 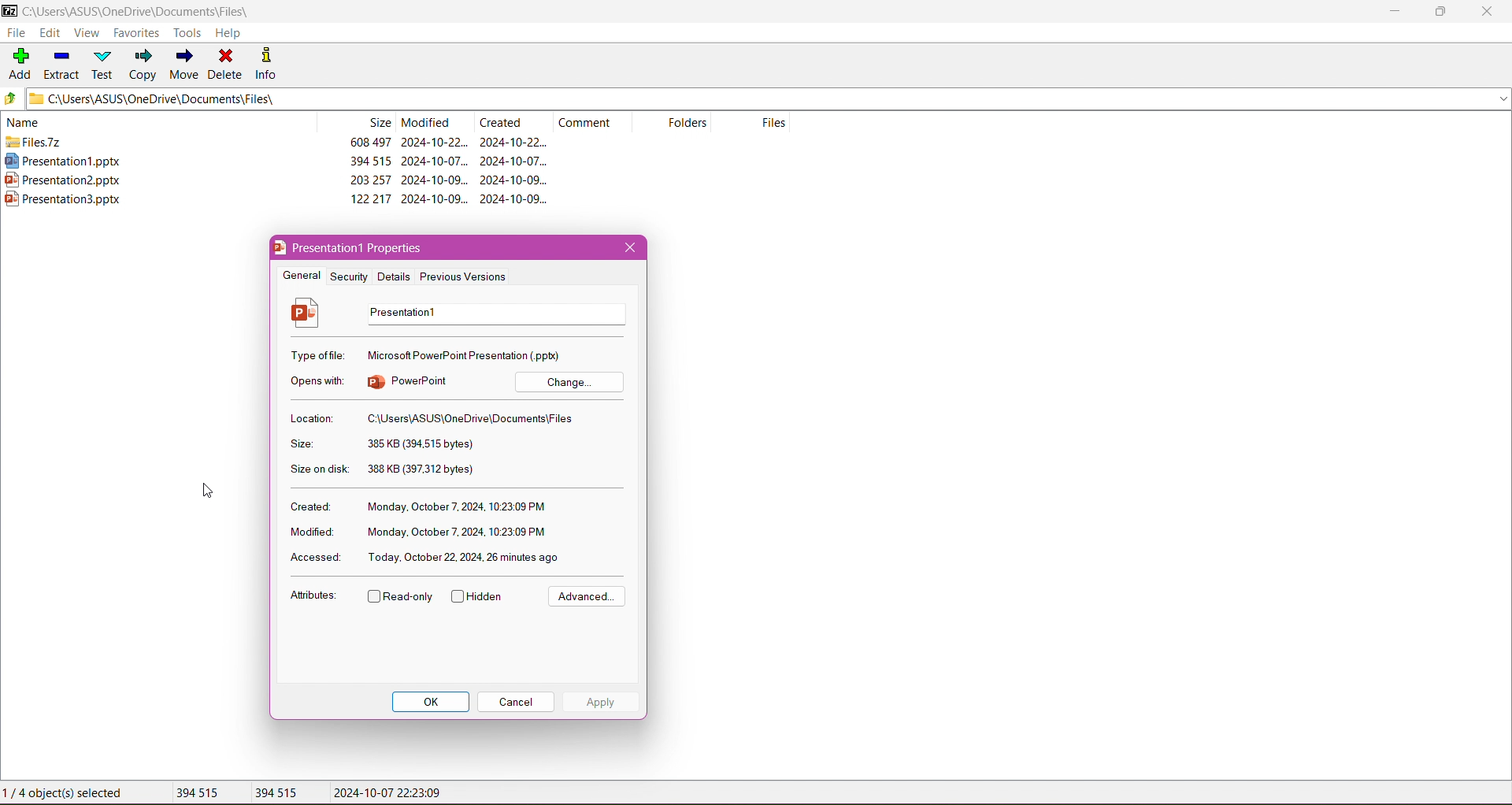 I want to click on size, so click(x=378, y=122).